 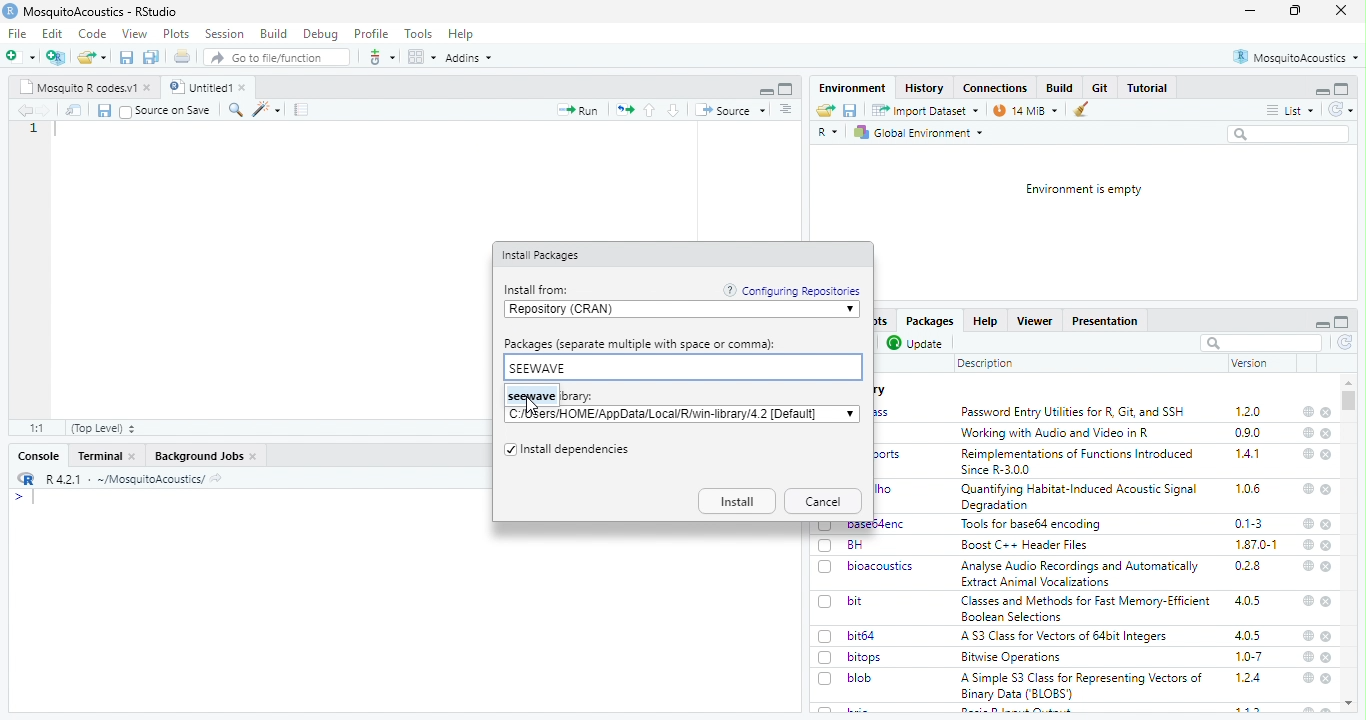 I want to click on web, so click(x=1310, y=544).